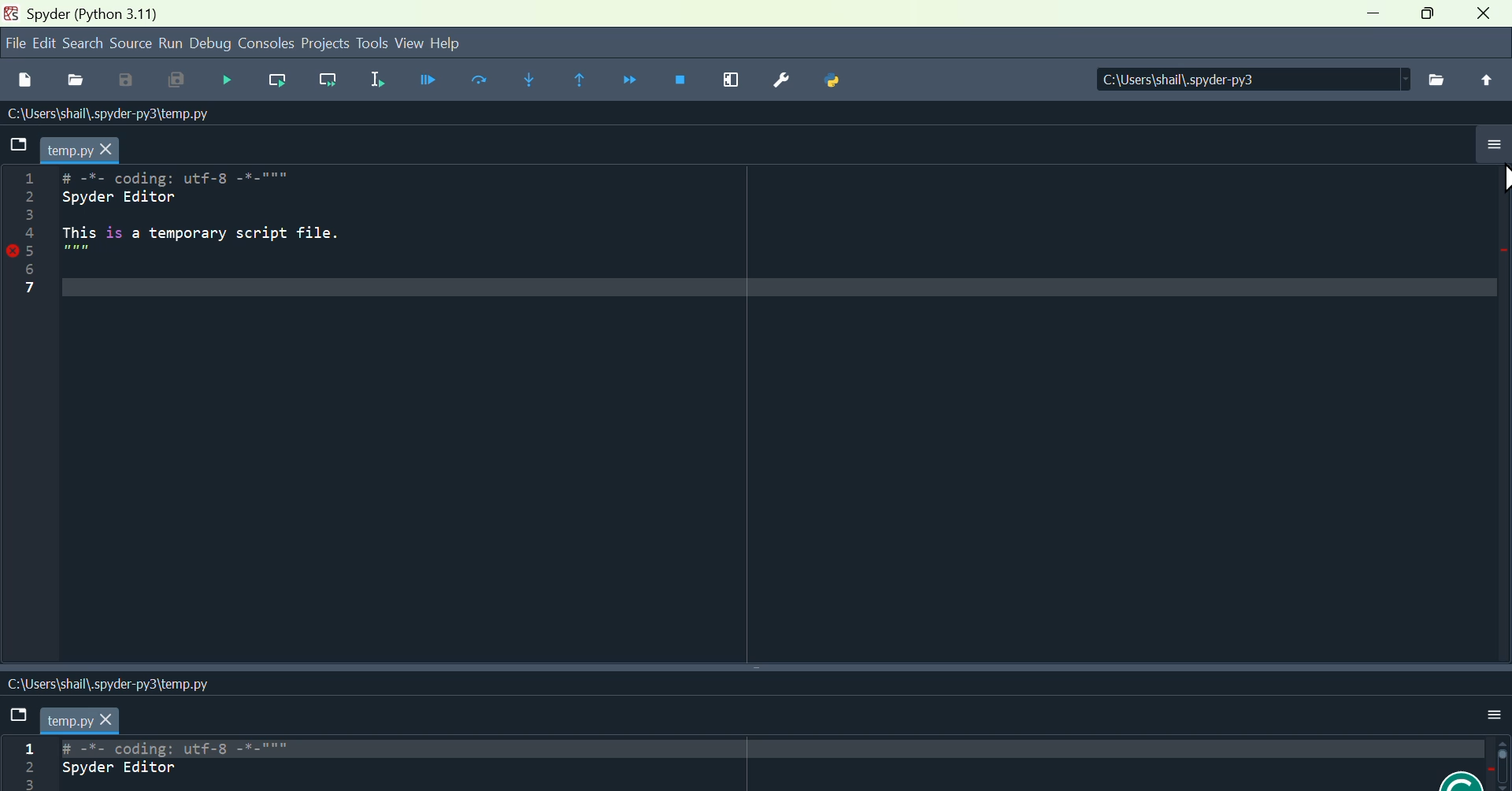  What do you see at coordinates (1376, 13) in the screenshot?
I see `minimise` at bounding box center [1376, 13].